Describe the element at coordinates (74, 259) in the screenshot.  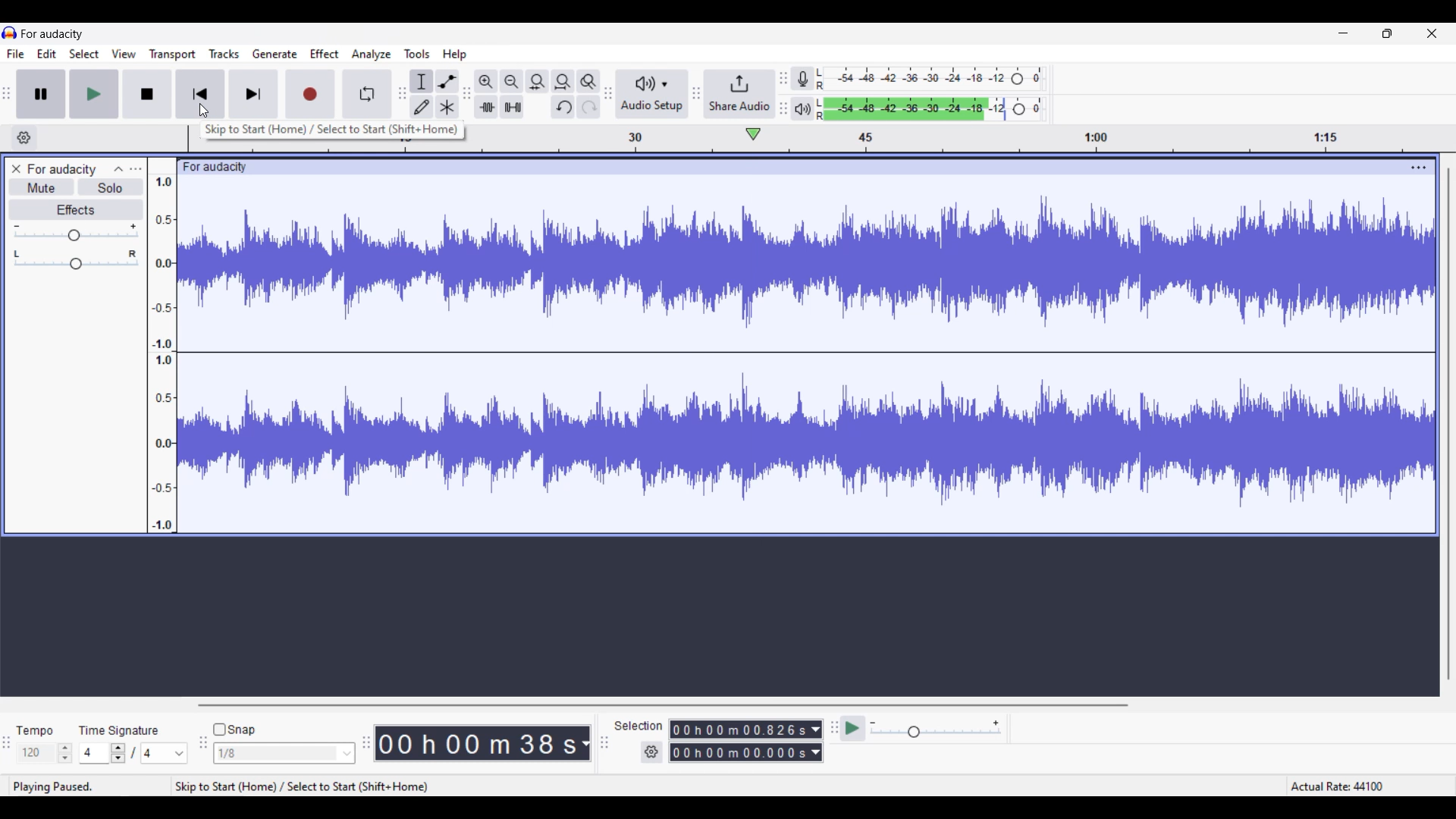
I see `Pan slider` at that location.